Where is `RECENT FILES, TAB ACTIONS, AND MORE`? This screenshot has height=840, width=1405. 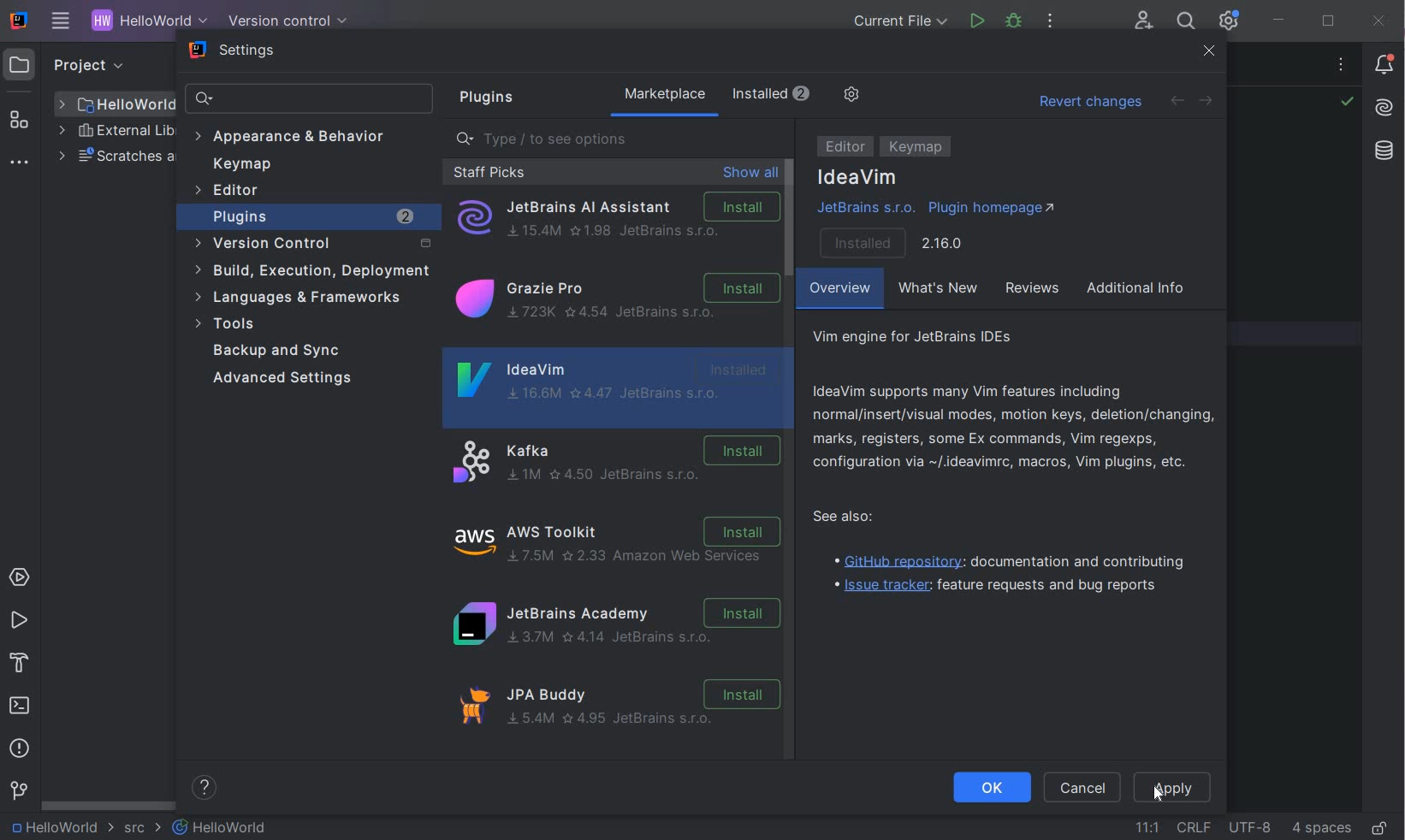
RECENT FILES, TAB ACTIONS, AND MORE is located at coordinates (1343, 67).